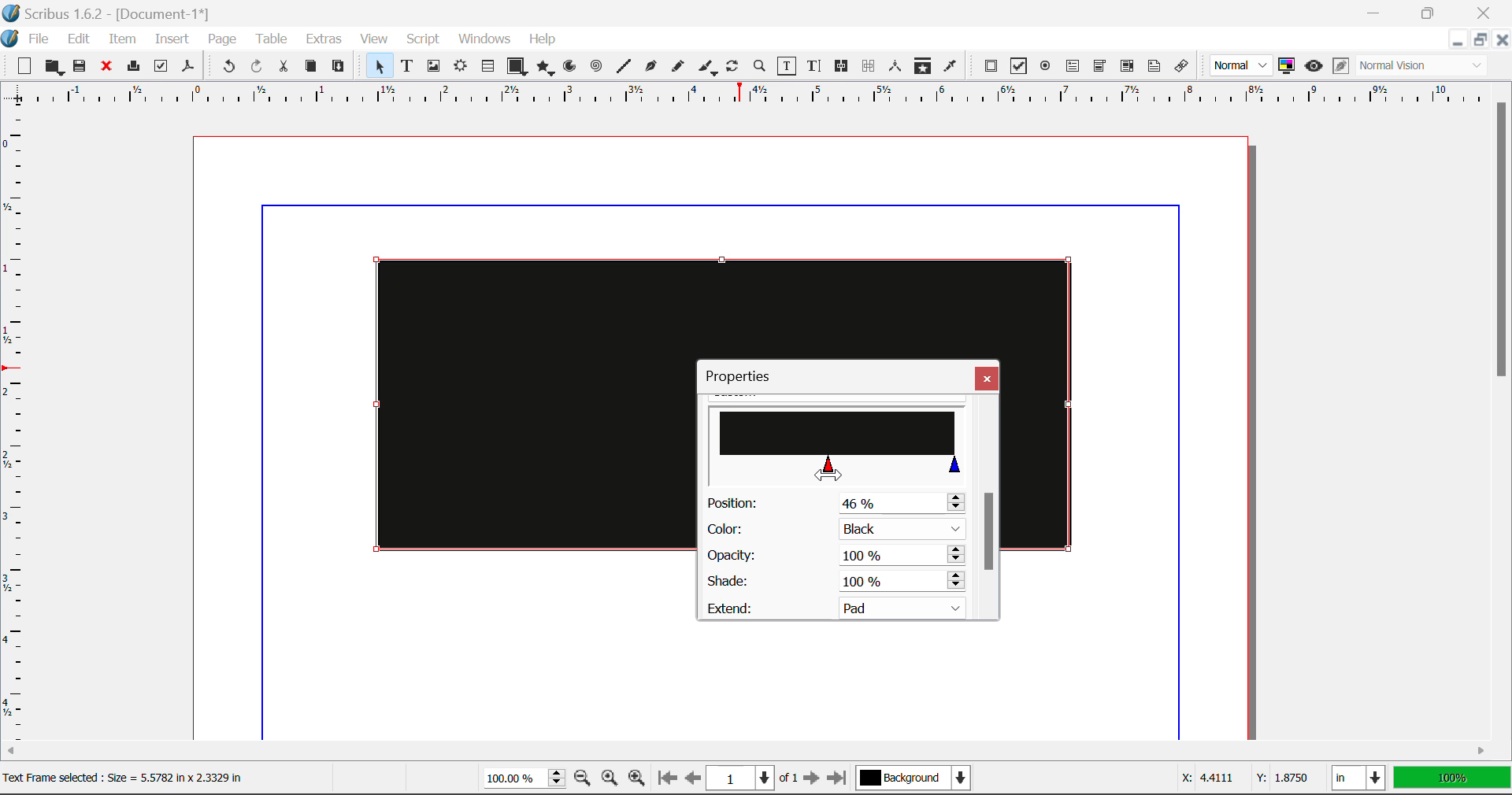 Image resolution: width=1512 pixels, height=795 pixels. Describe the element at coordinates (750, 378) in the screenshot. I see `Properties` at that location.